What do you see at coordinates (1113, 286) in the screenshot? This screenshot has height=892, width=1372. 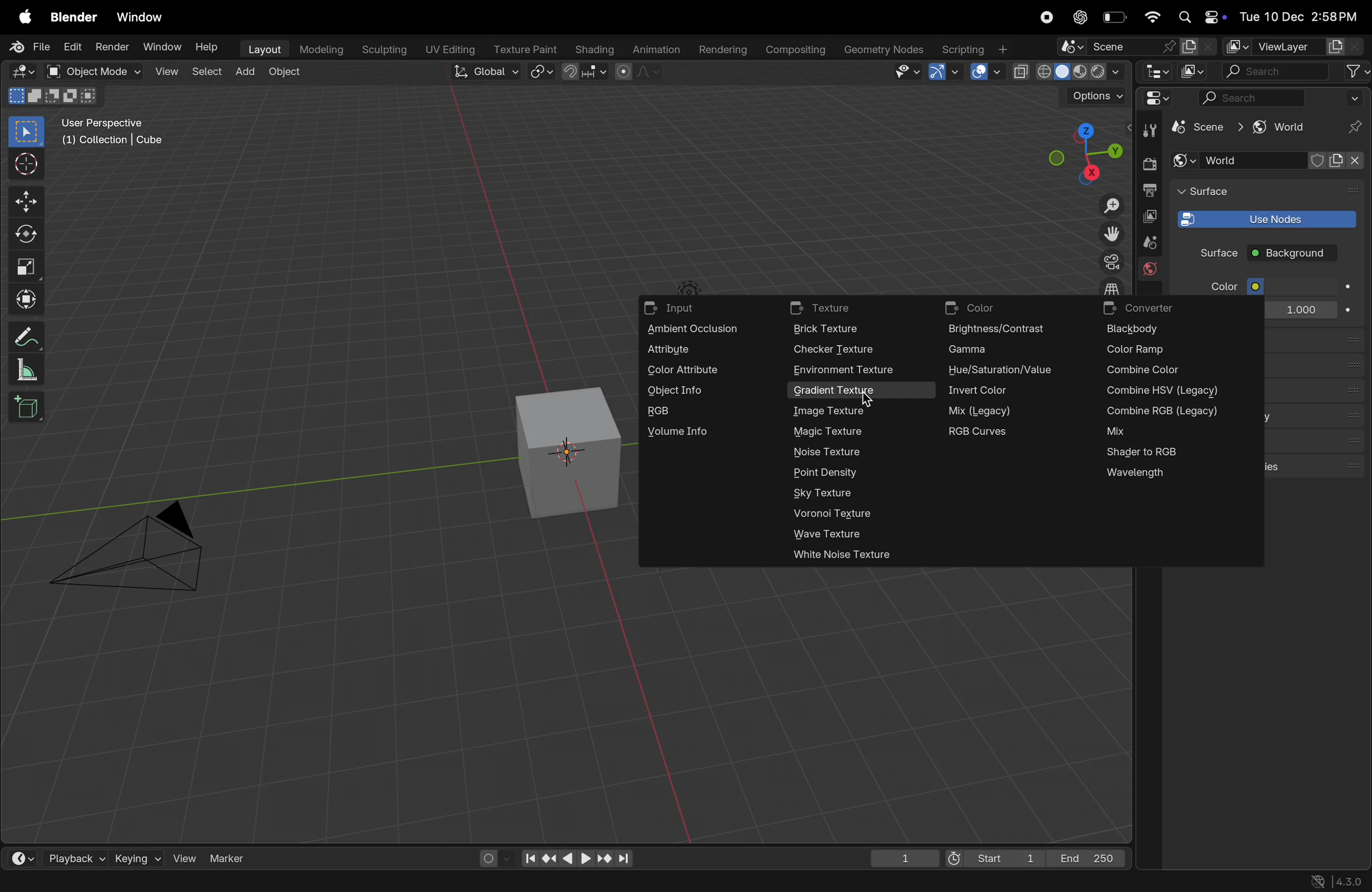 I see `orthographic view` at bounding box center [1113, 286].